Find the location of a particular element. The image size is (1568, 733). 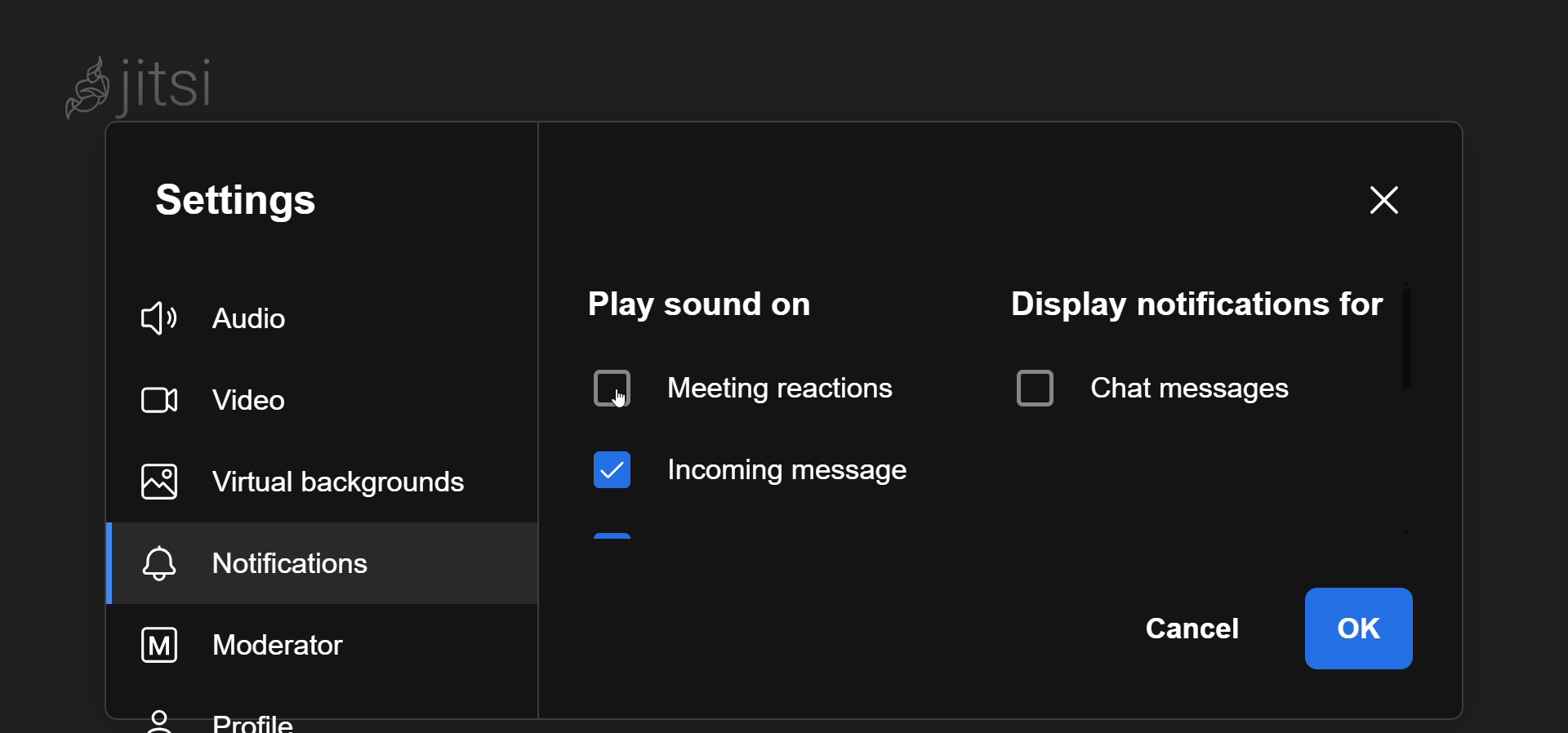

cancel is located at coordinates (1196, 629).